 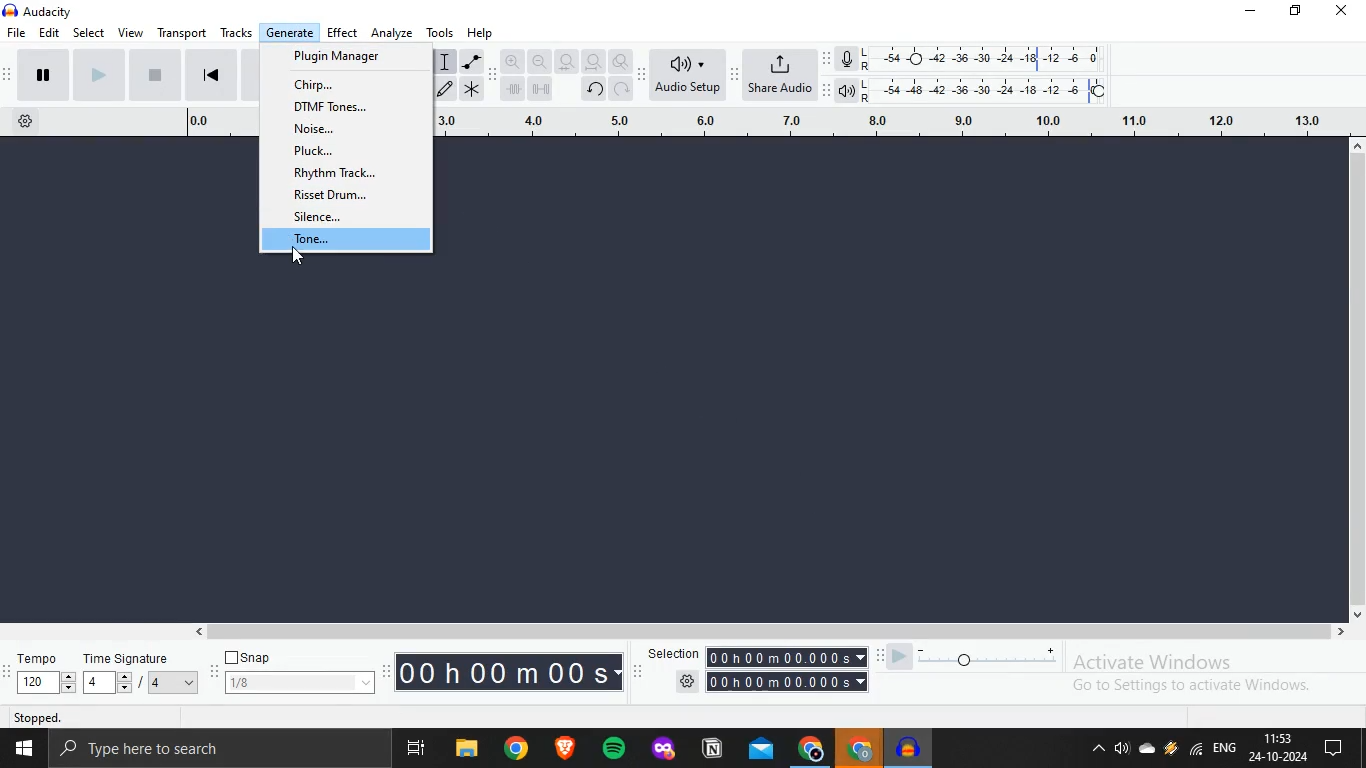 What do you see at coordinates (332, 155) in the screenshot?
I see `pluck..` at bounding box center [332, 155].